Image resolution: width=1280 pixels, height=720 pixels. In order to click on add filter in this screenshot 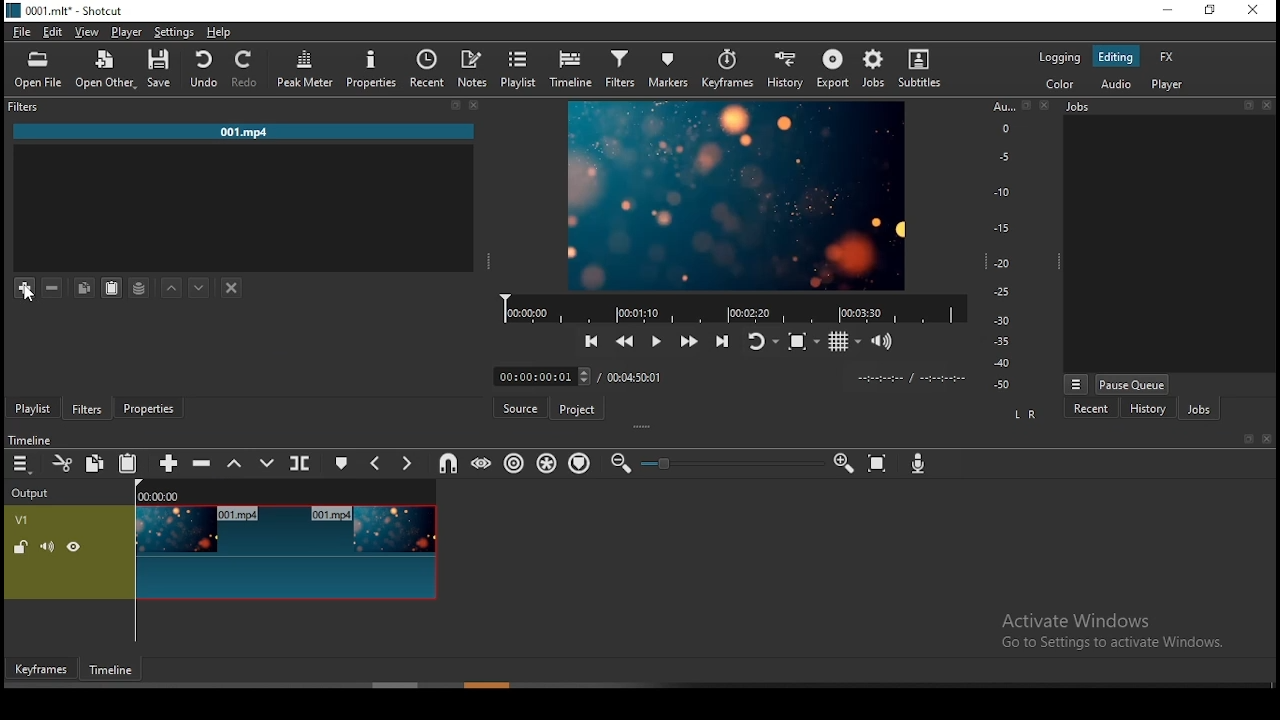, I will do `click(23, 288)`.